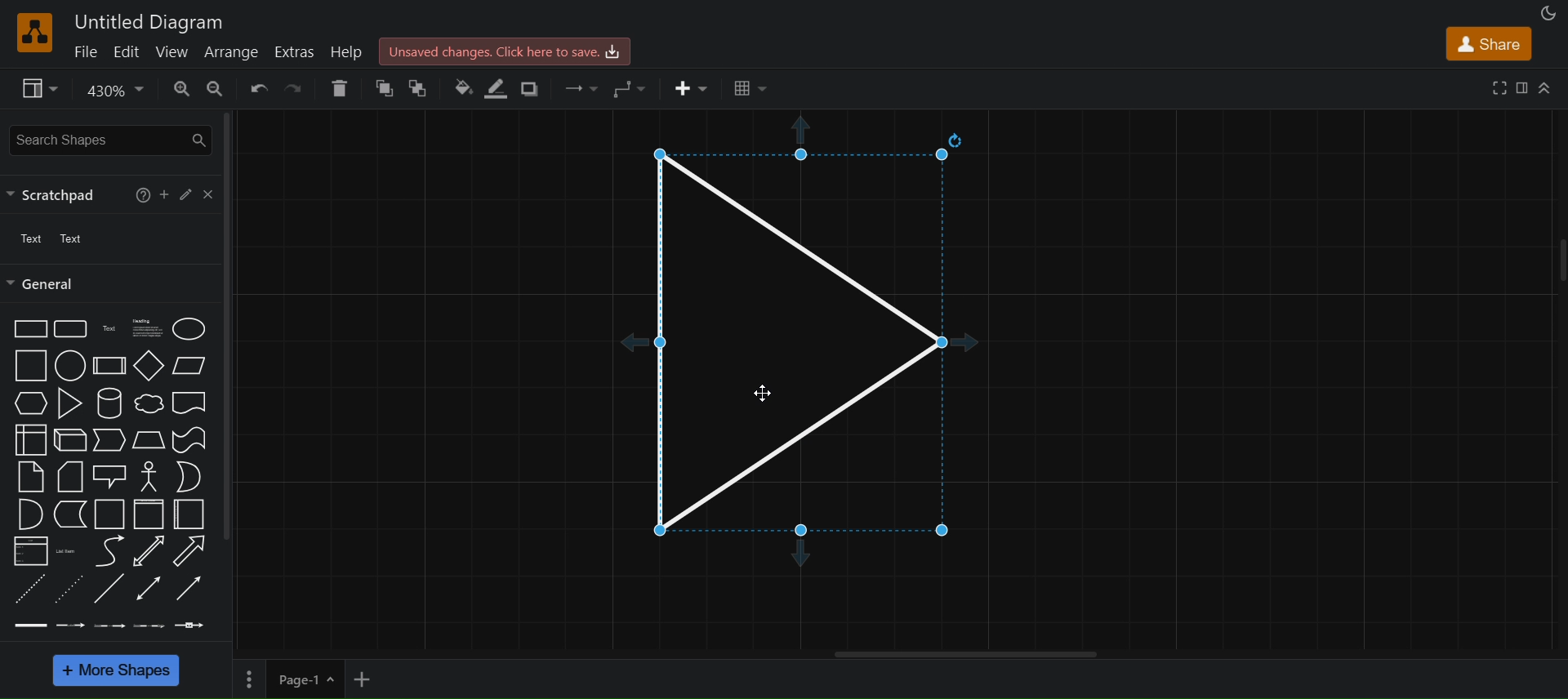  What do you see at coordinates (535, 89) in the screenshot?
I see `shadow` at bounding box center [535, 89].